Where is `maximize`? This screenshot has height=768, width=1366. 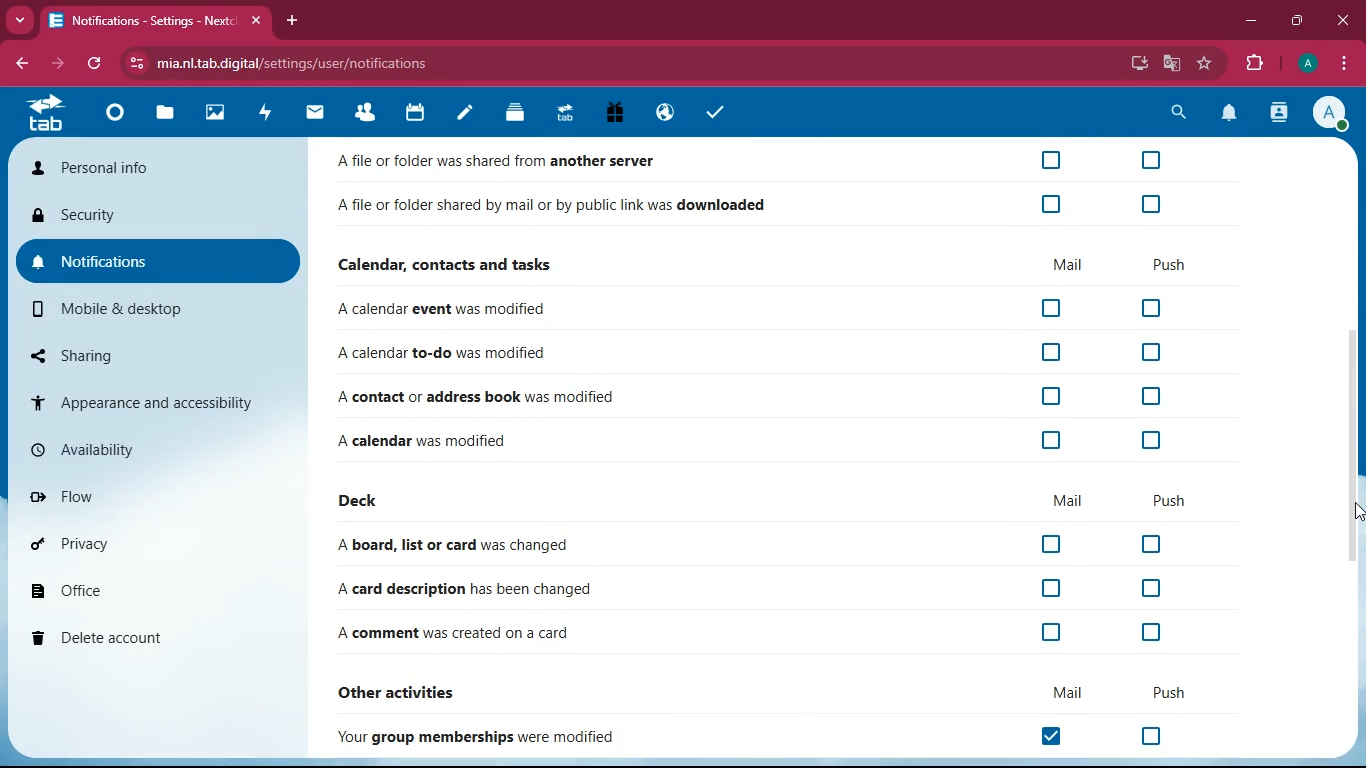 maximize is located at coordinates (1296, 21).